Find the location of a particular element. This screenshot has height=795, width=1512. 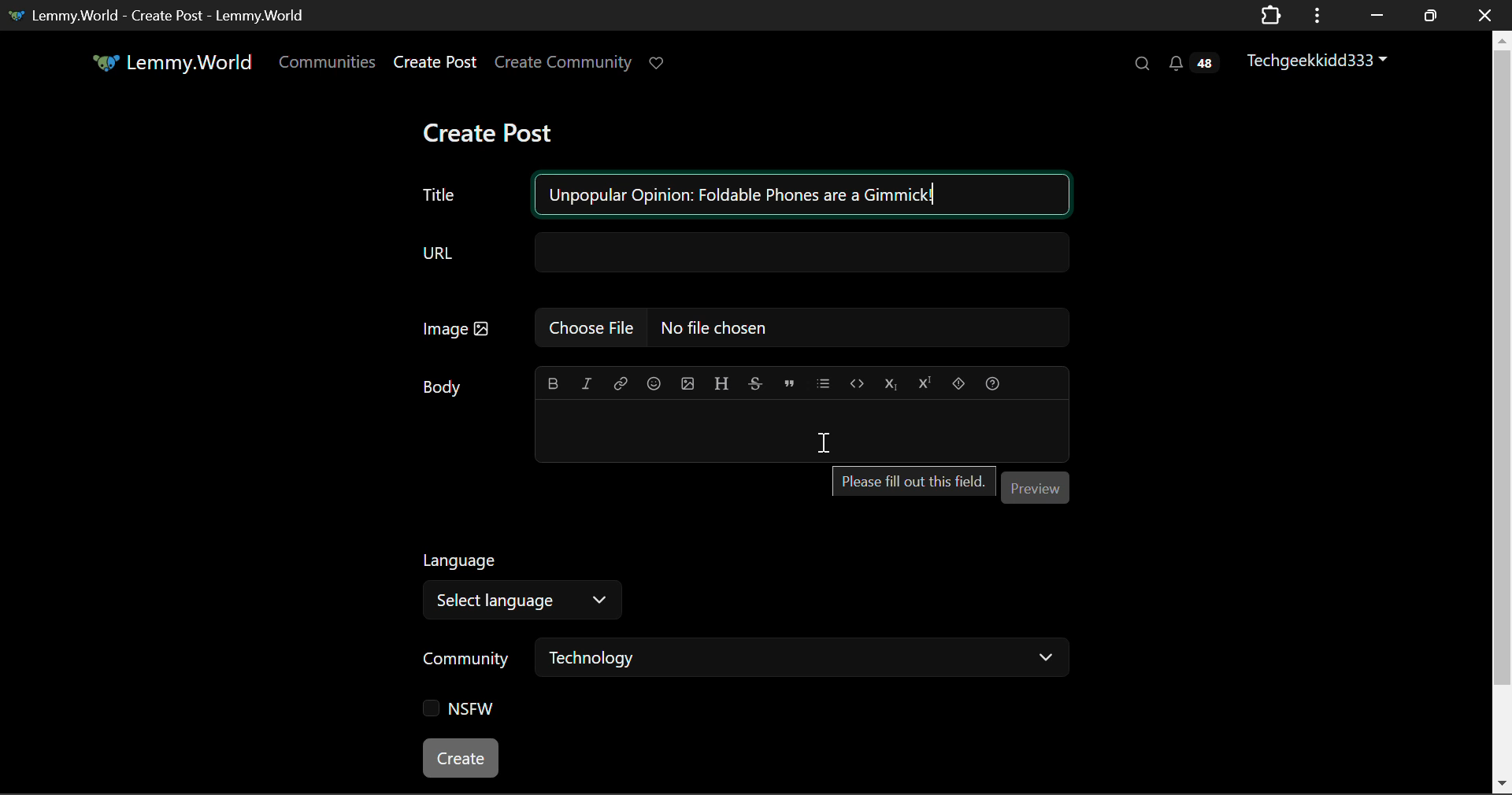

formatting help is located at coordinates (991, 381).